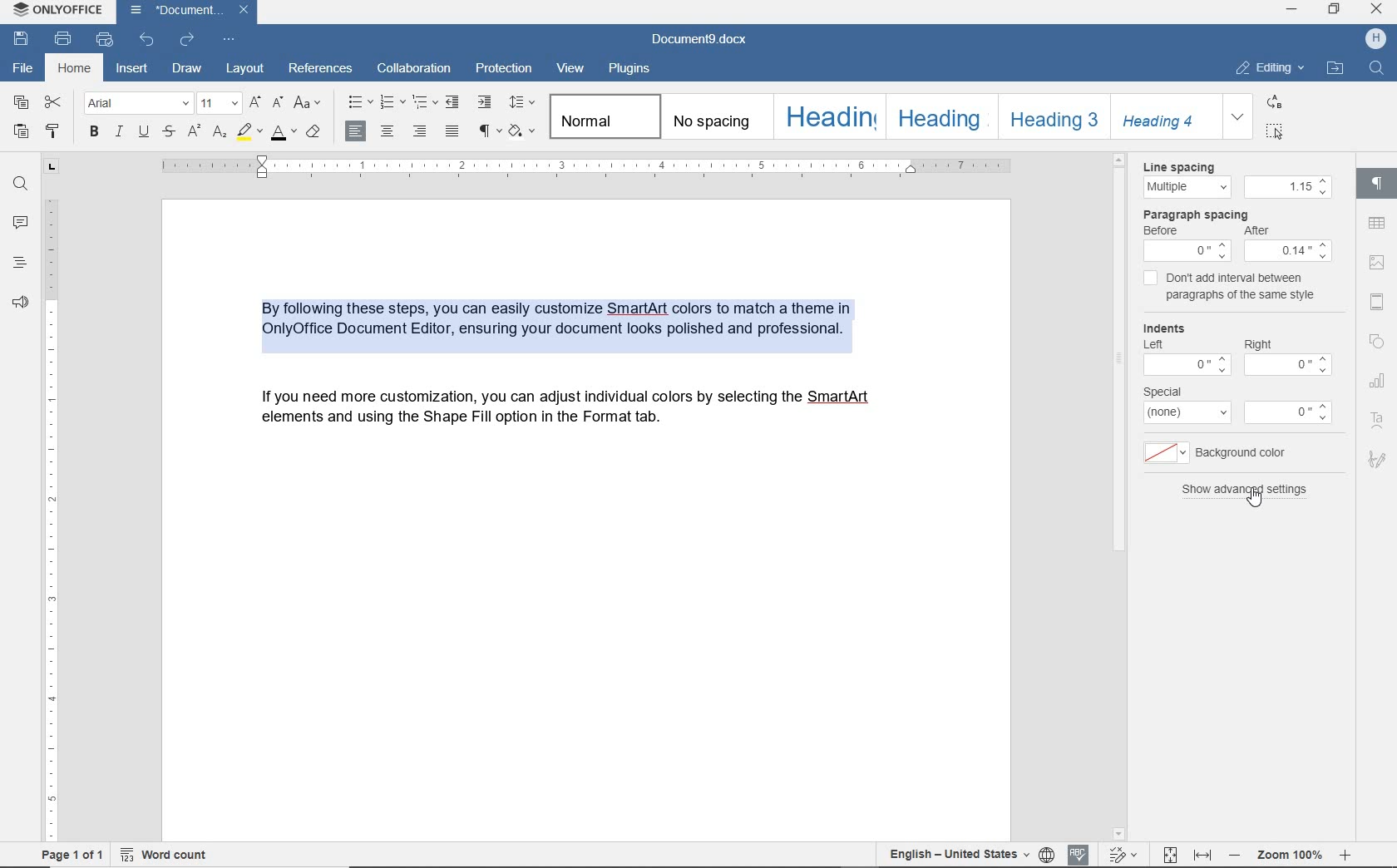 This screenshot has height=868, width=1397. What do you see at coordinates (1153, 346) in the screenshot?
I see `left` at bounding box center [1153, 346].